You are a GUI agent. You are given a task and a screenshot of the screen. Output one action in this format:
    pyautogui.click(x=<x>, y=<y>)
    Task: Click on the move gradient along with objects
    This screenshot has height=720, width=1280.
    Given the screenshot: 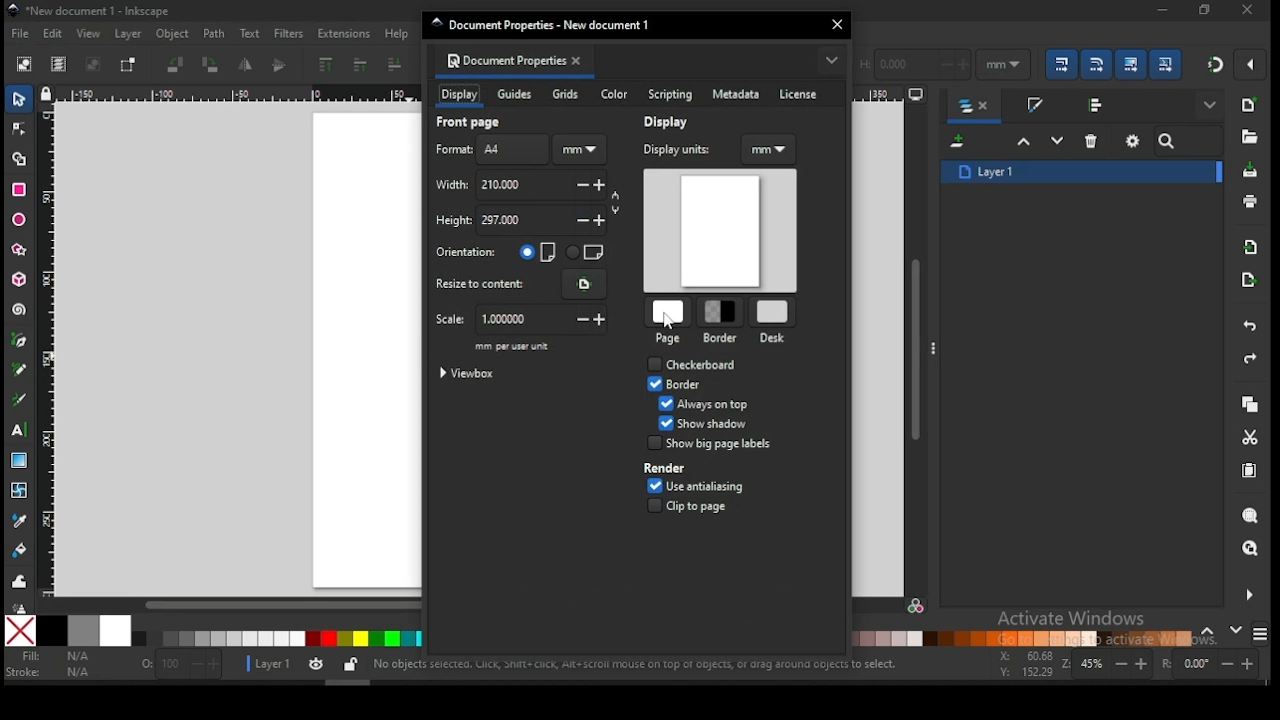 What is the action you would take?
    pyautogui.click(x=1131, y=64)
    